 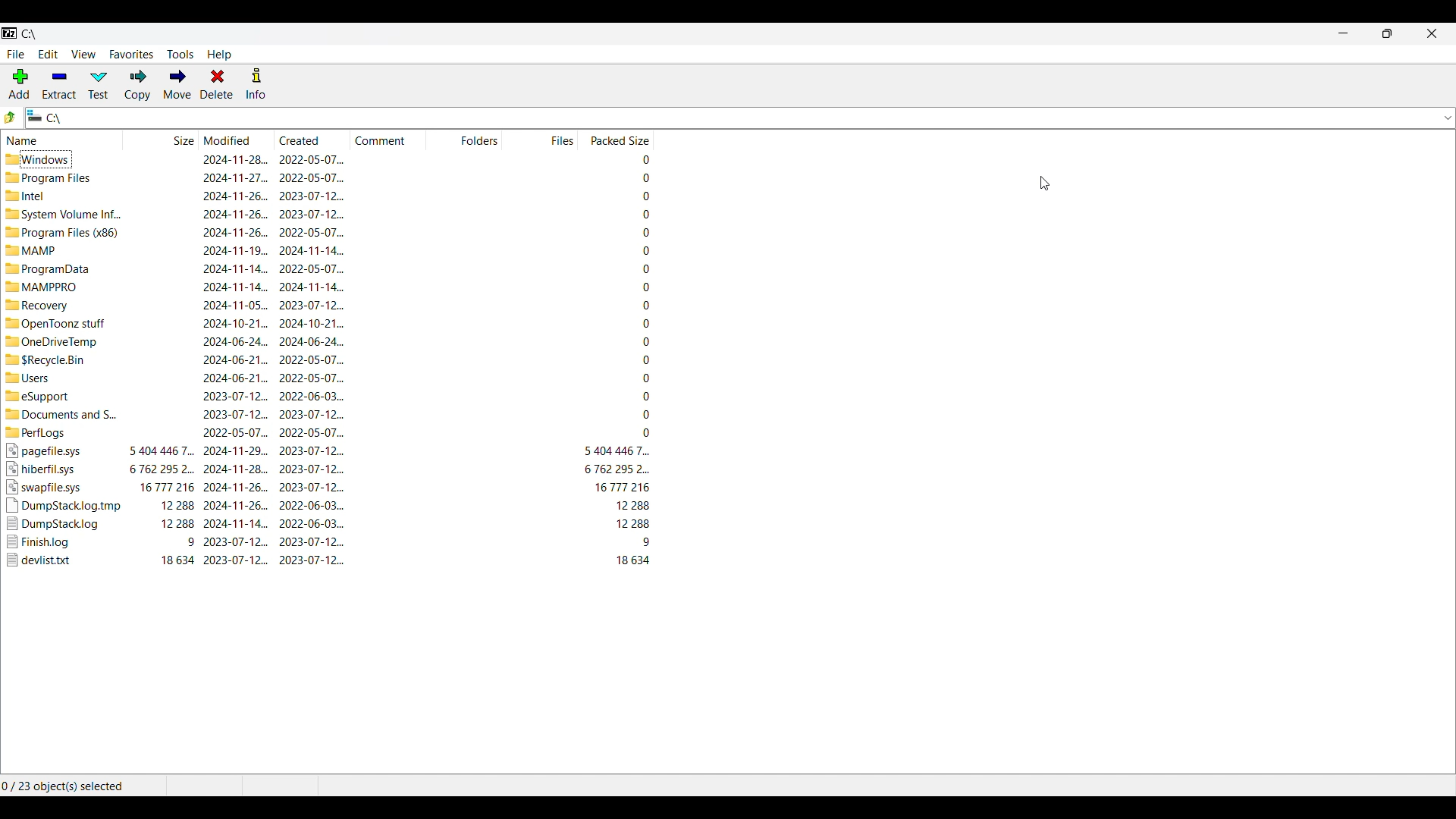 I want to click on size, so click(x=162, y=359).